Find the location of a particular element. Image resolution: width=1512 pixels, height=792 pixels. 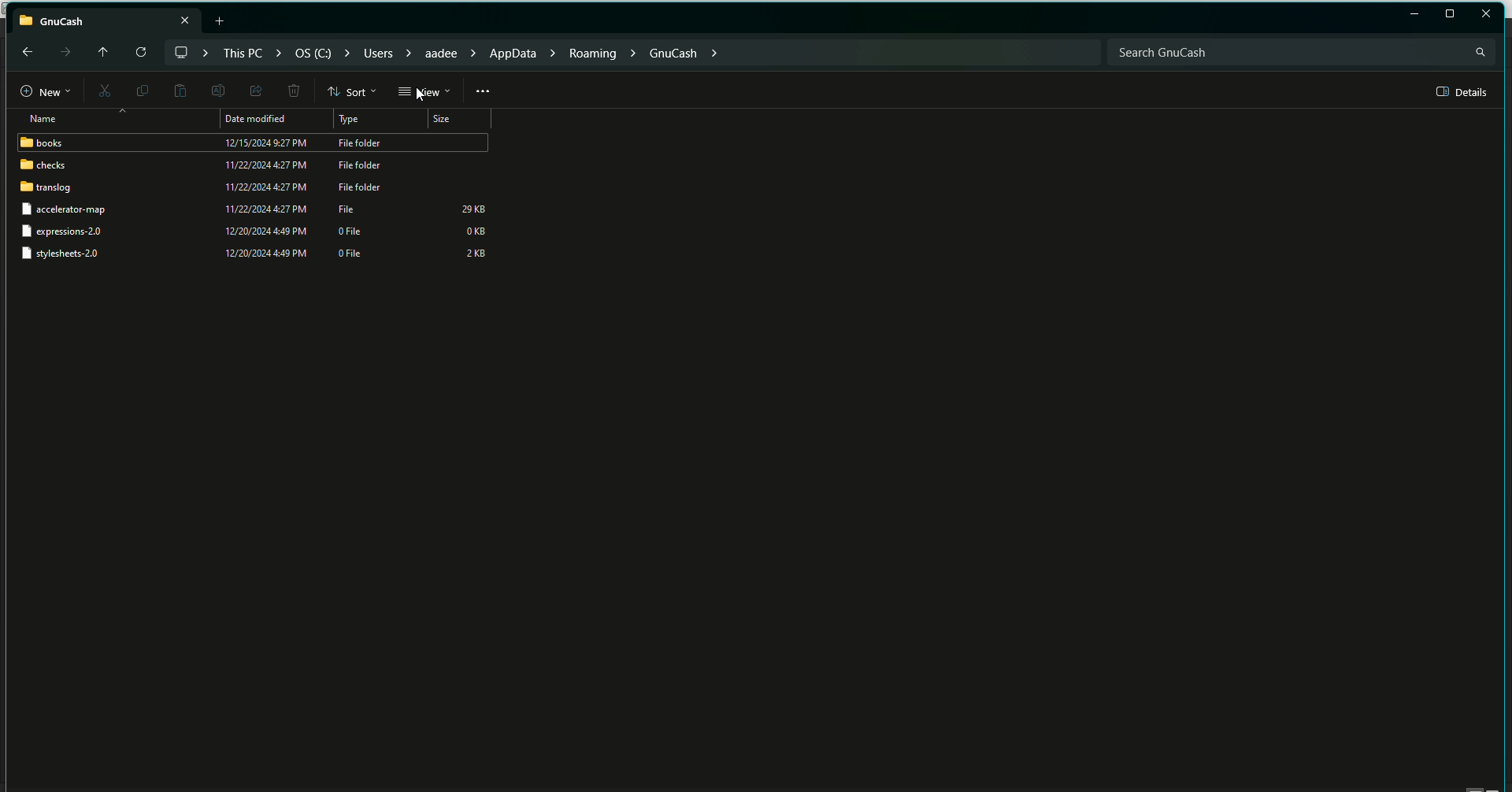

Restore is located at coordinates (1414, 15).